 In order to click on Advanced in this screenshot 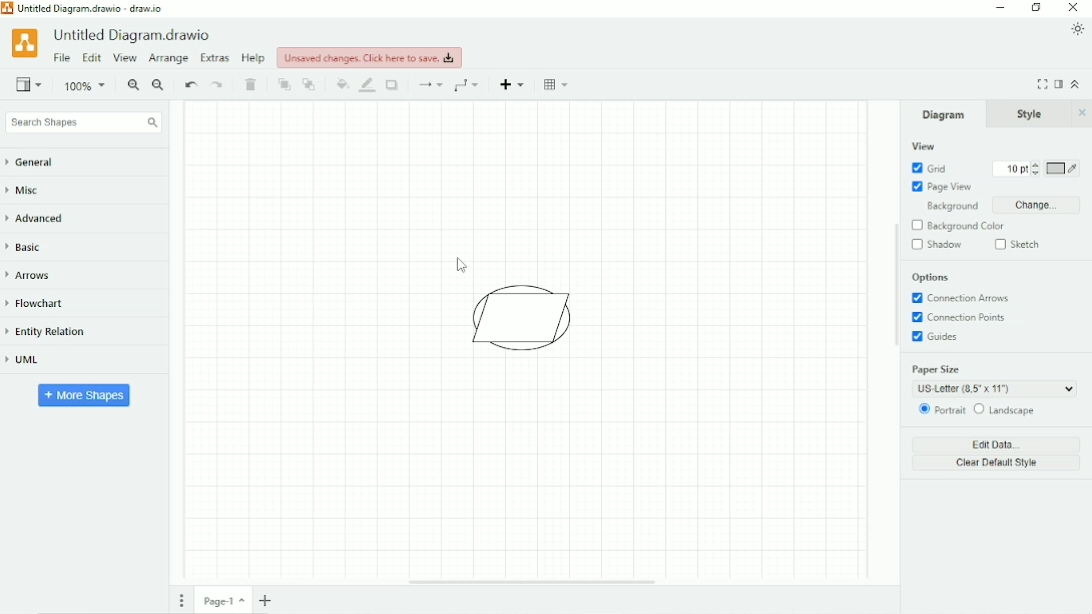, I will do `click(42, 218)`.